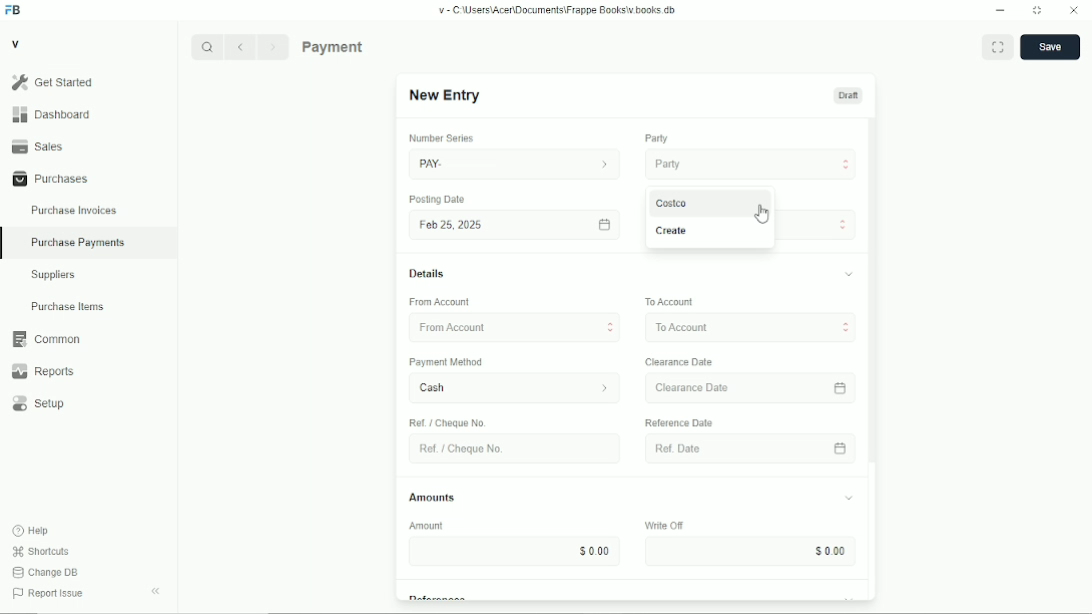 The width and height of the screenshot is (1092, 614). What do you see at coordinates (274, 47) in the screenshot?
I see `Next` at bounding box center [274, 47].